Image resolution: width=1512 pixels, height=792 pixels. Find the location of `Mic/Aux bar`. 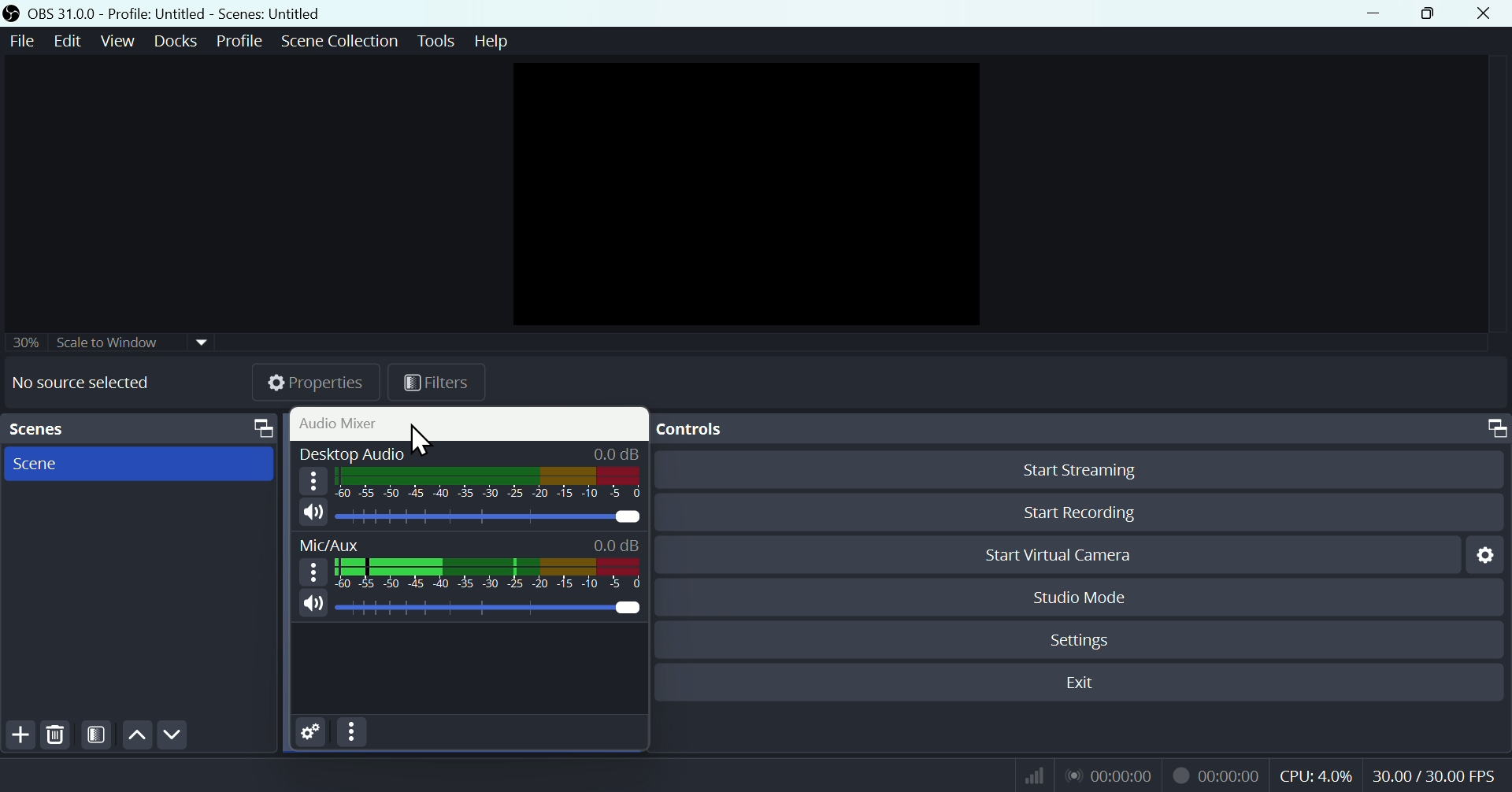

Mic/Aux bar is located at coordinates (488, 572).